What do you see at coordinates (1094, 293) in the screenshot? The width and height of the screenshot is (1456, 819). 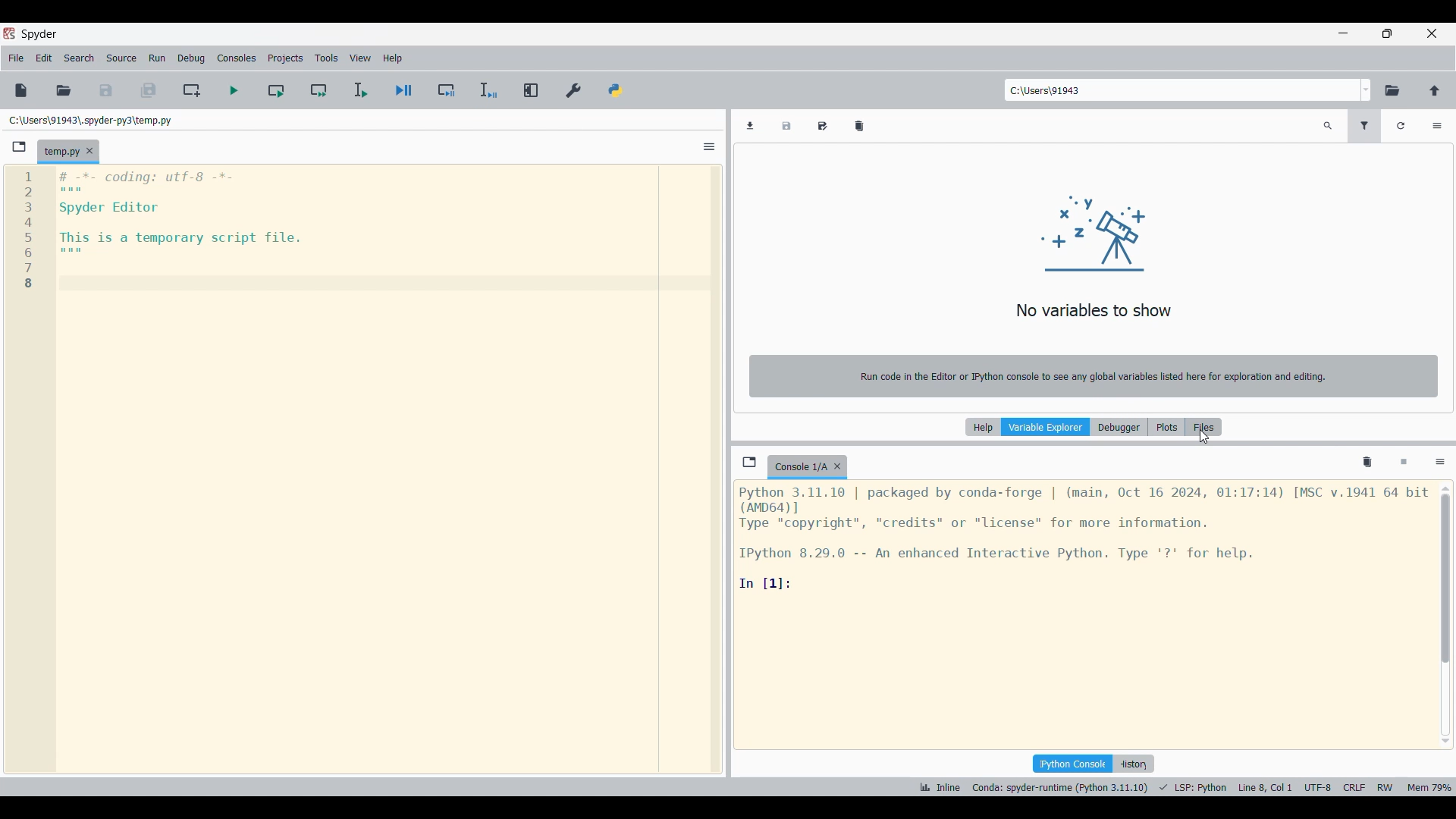 I see `Pane logo and text` at bounding box center [1094, 293].